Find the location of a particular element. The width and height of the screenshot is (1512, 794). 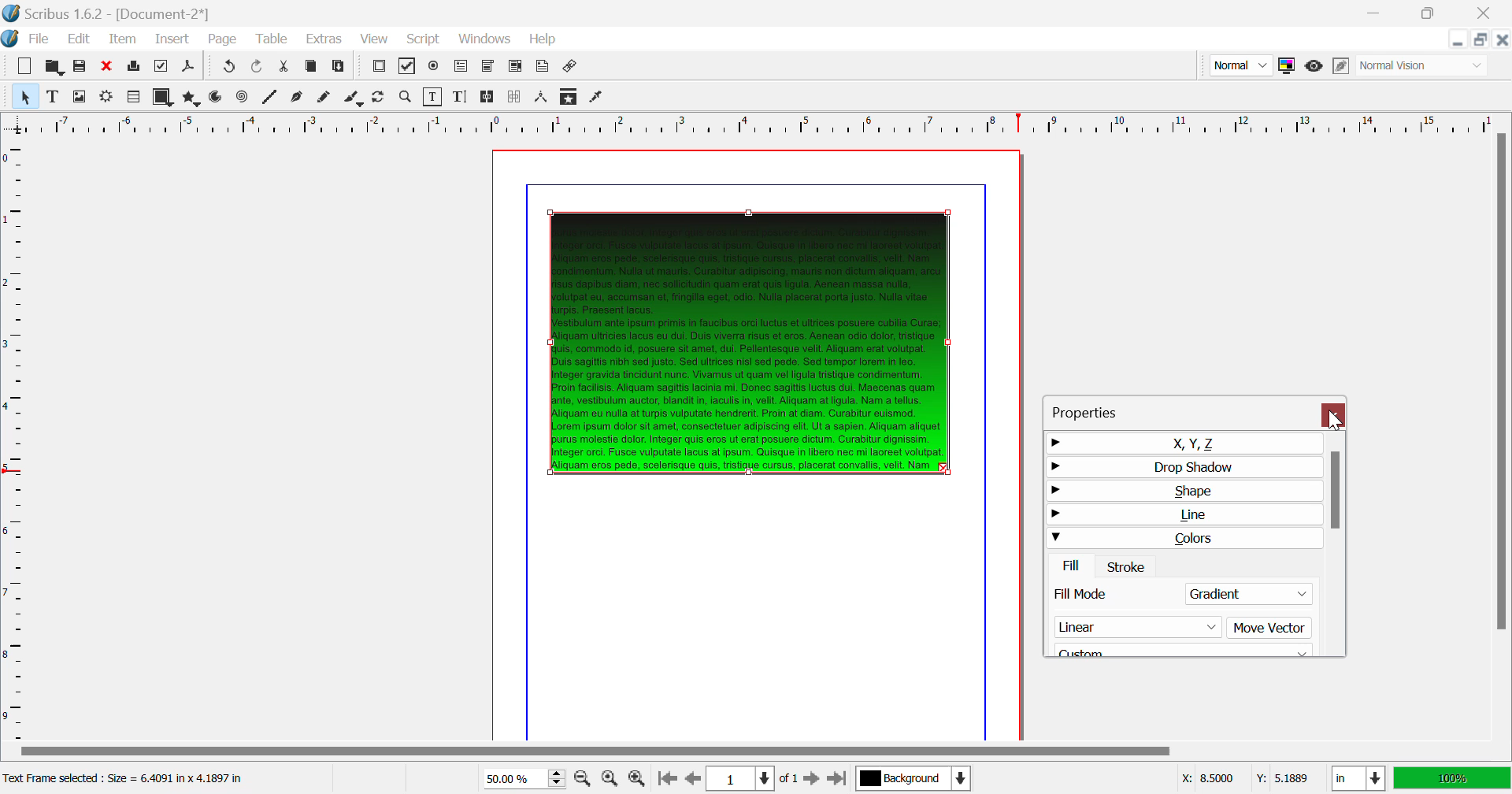

Copy Item Properties is located at coordinates (570, 96).